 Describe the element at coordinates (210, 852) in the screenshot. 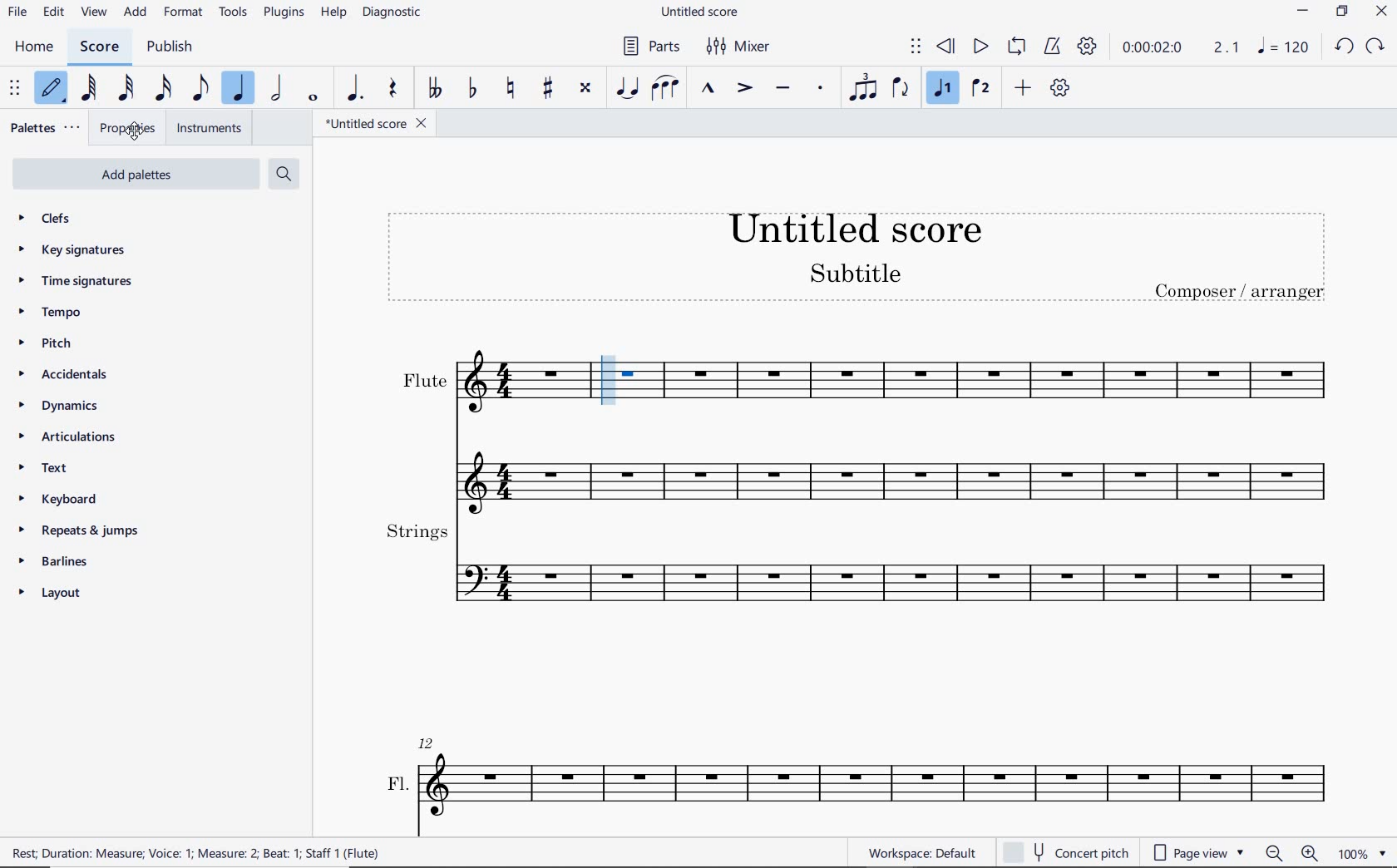

I see `REST DURATION` at that location.